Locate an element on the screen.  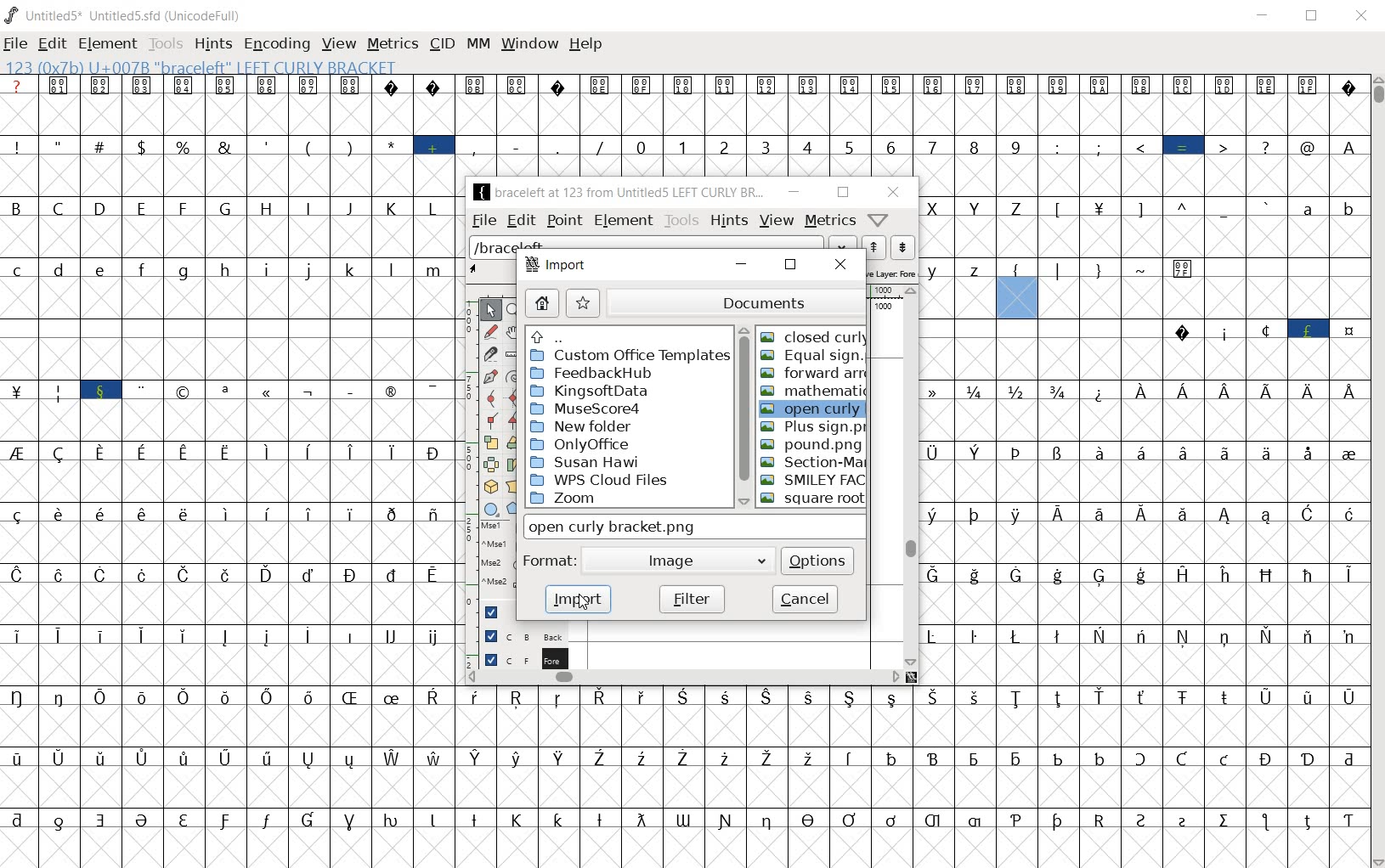
123 (0x7b) U+007B "braceleft" LEFT CURLY BRACKET is located at coordinates (1017, 297).